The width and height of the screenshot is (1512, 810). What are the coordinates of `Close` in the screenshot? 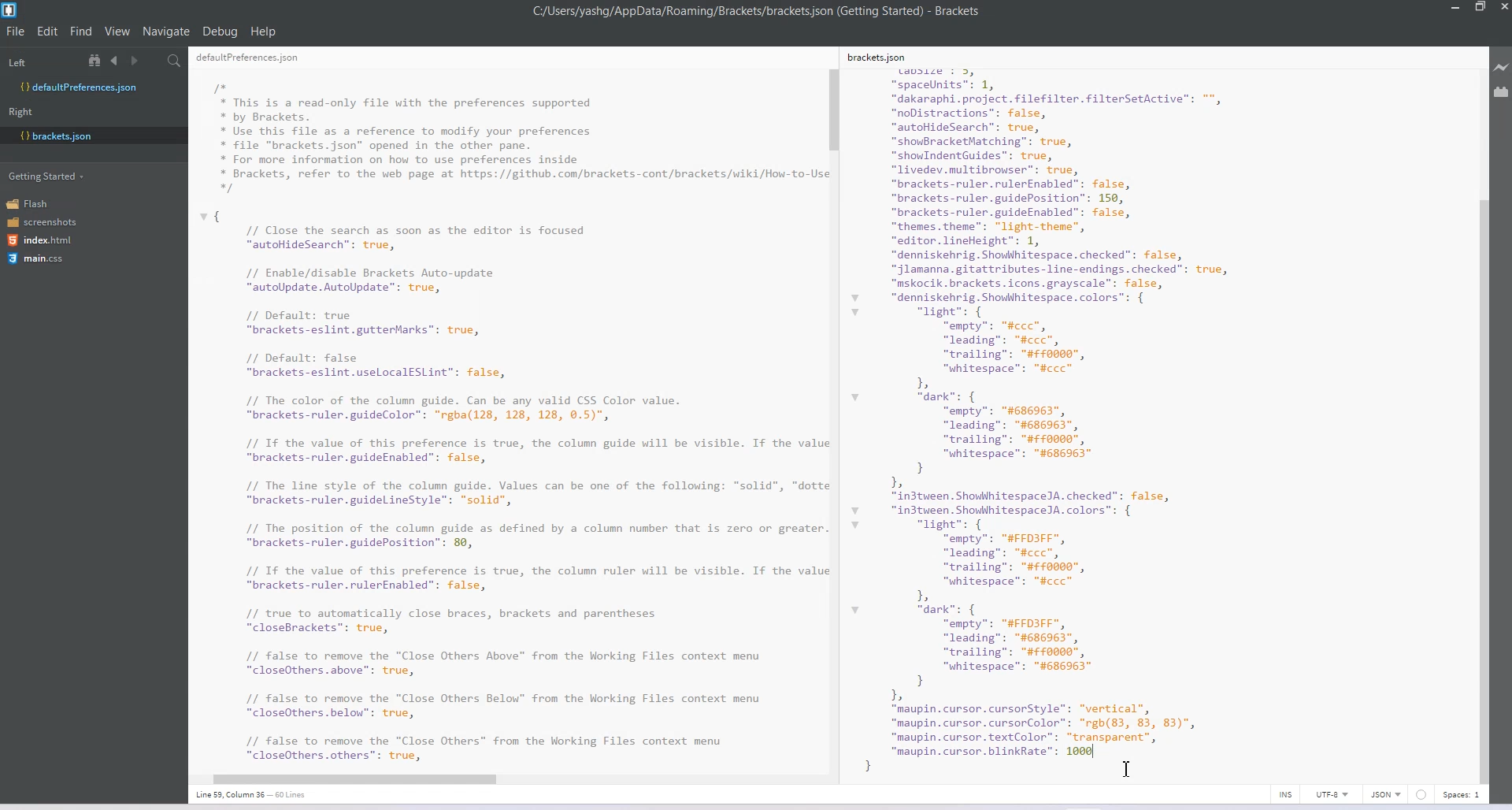 It's located at (1503, 9).